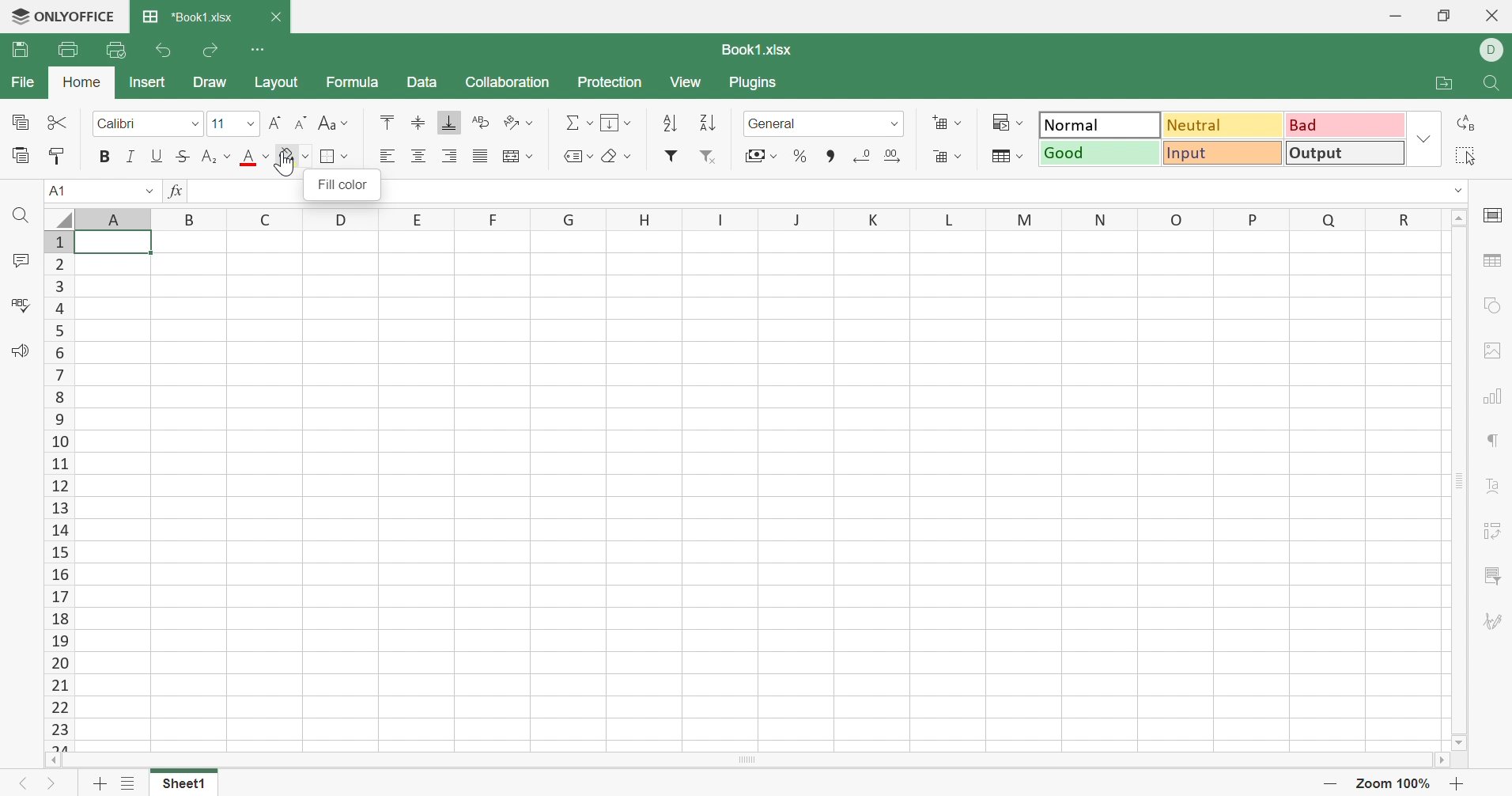  Describe the element at coordinates (23, 83) in the screenshot. I see `File` at that location.